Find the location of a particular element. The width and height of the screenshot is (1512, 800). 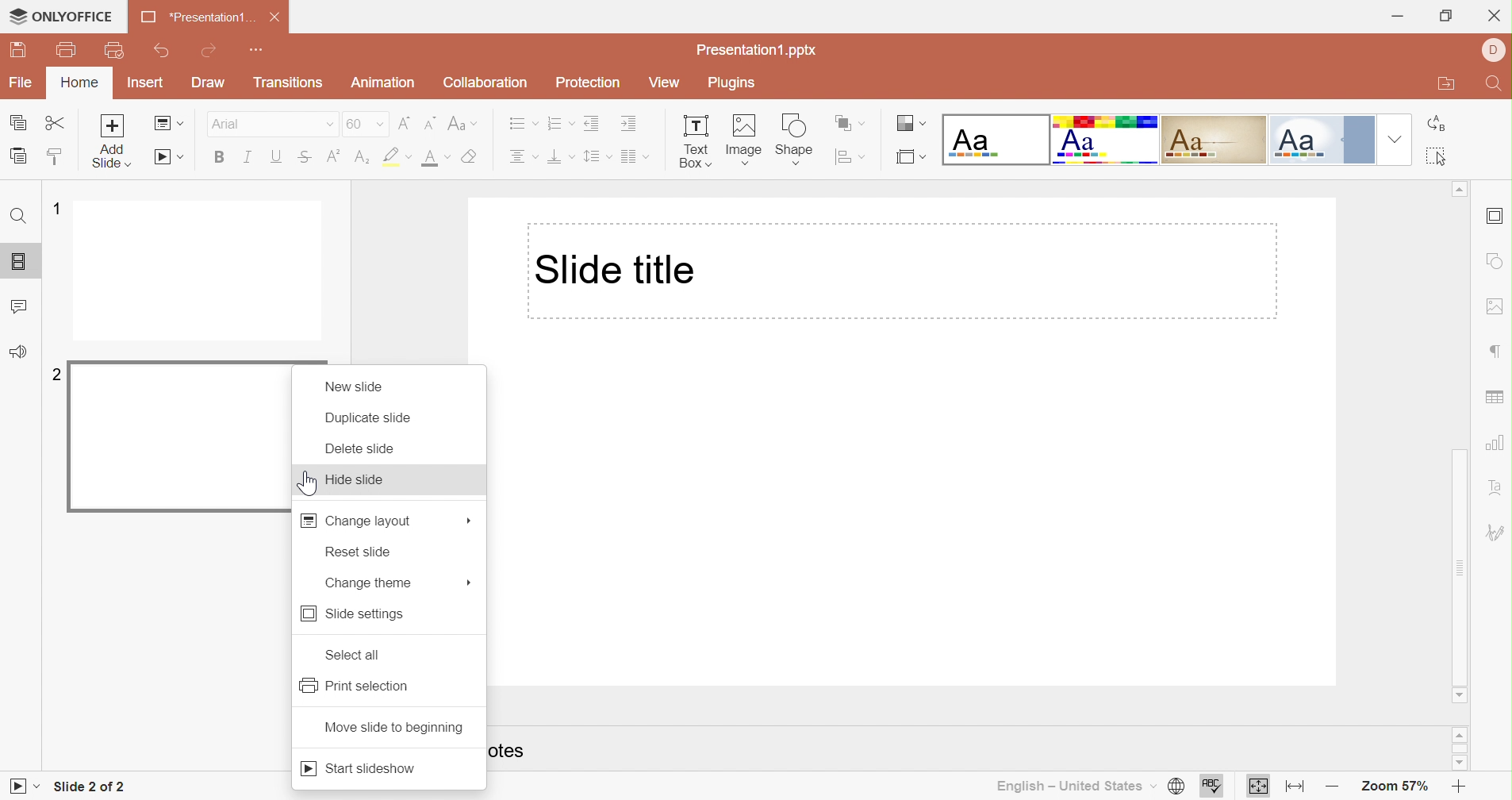

Zoom 57% is located at coordinates (1389, 785).